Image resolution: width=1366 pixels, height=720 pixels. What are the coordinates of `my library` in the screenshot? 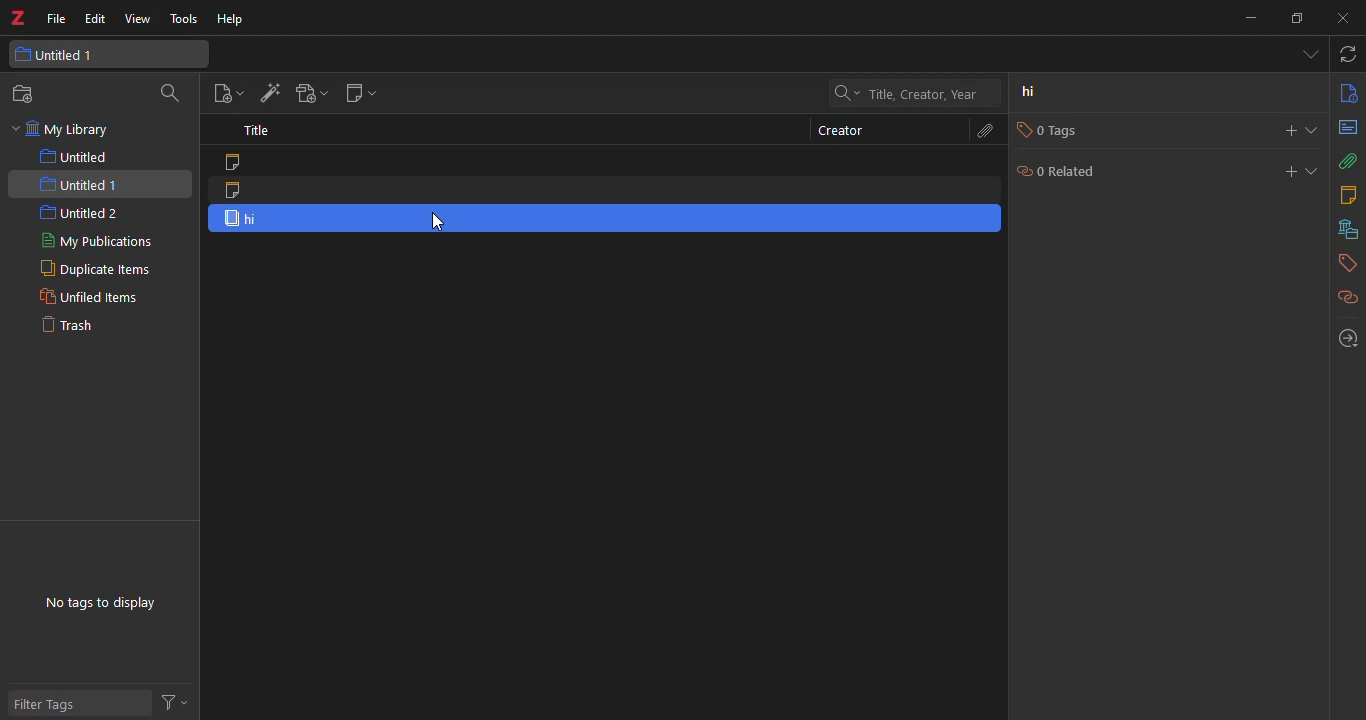 It's located at (70, 128).